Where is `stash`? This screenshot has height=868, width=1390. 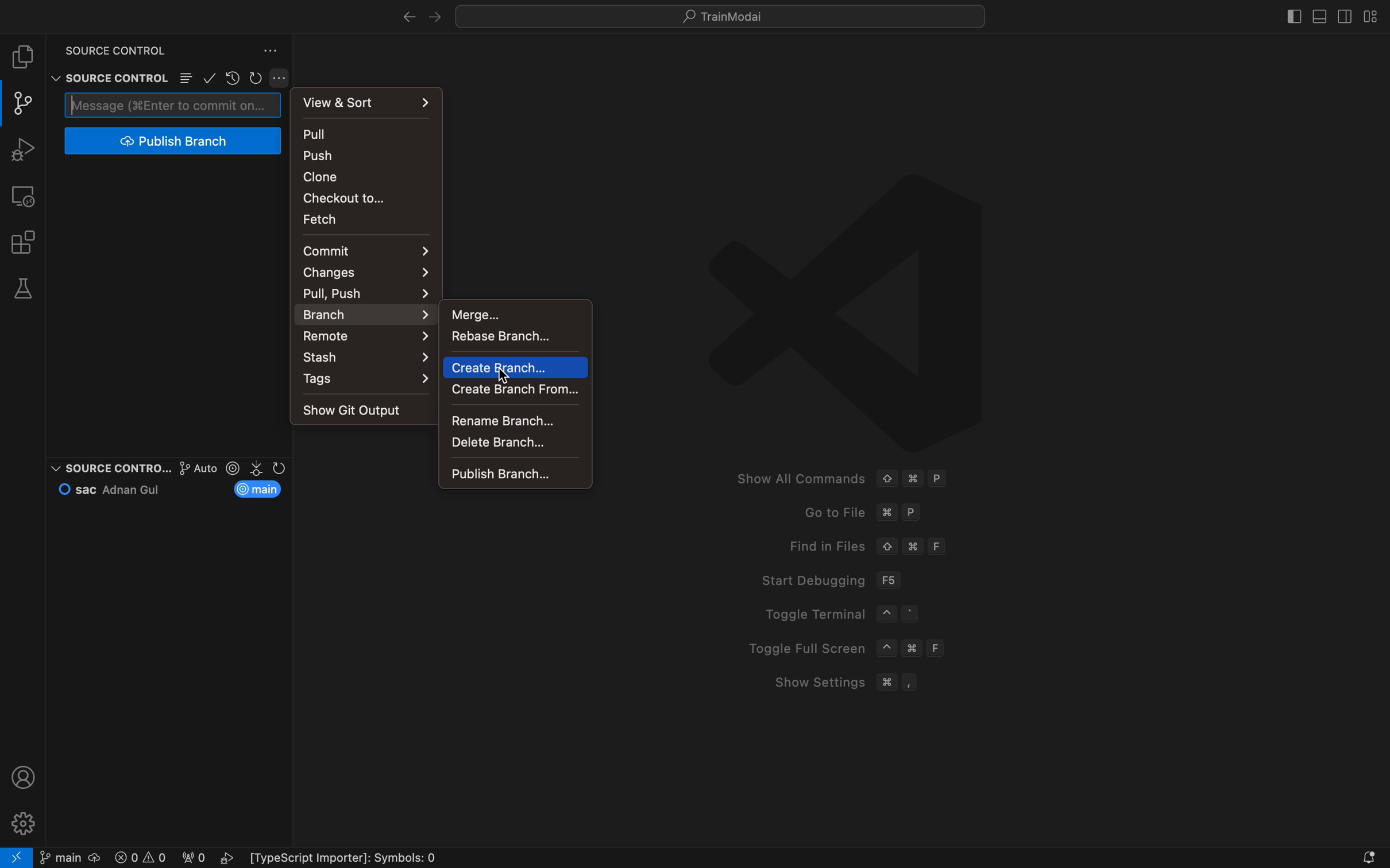 stash is located at coordinates (368, 358).